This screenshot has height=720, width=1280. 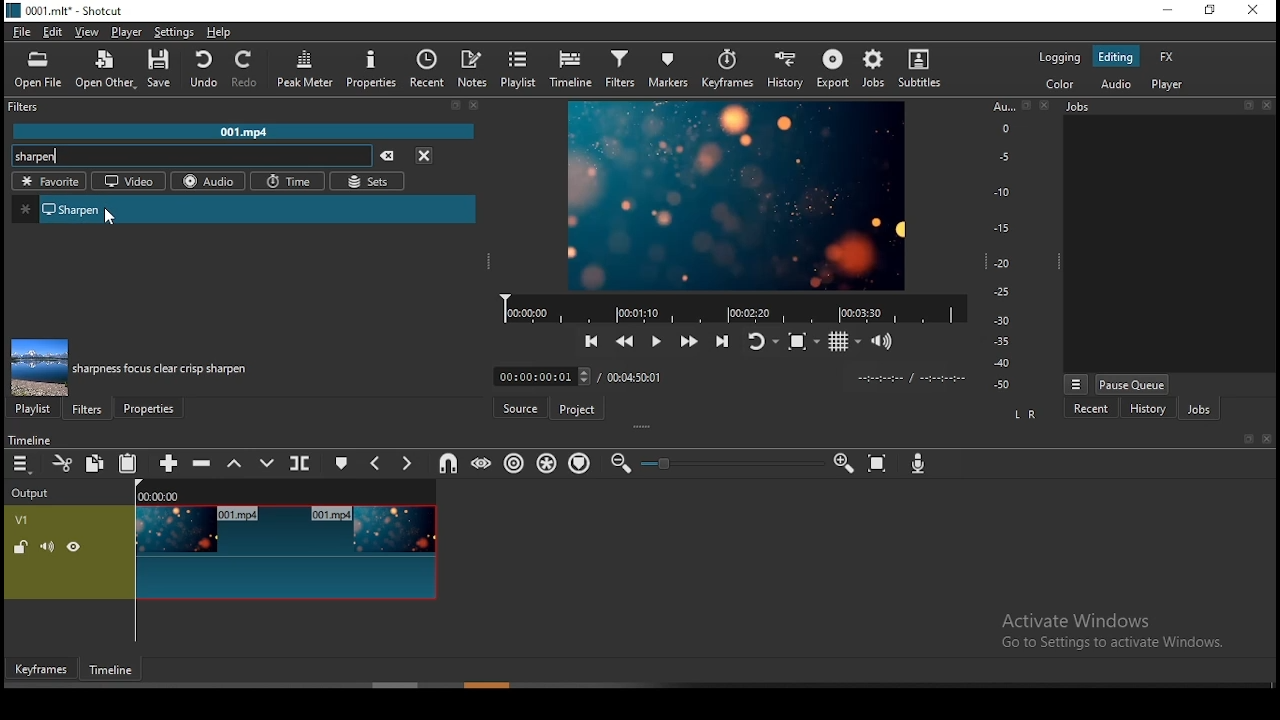 I want to click on jobs, so click(x=873, y=72).